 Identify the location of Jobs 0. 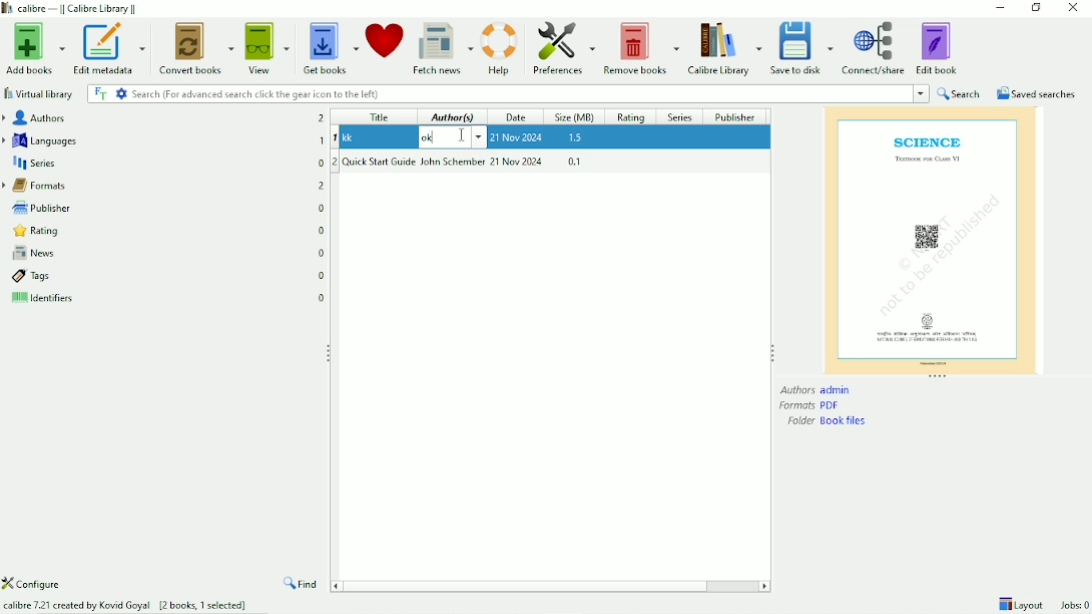
(1071, 606).